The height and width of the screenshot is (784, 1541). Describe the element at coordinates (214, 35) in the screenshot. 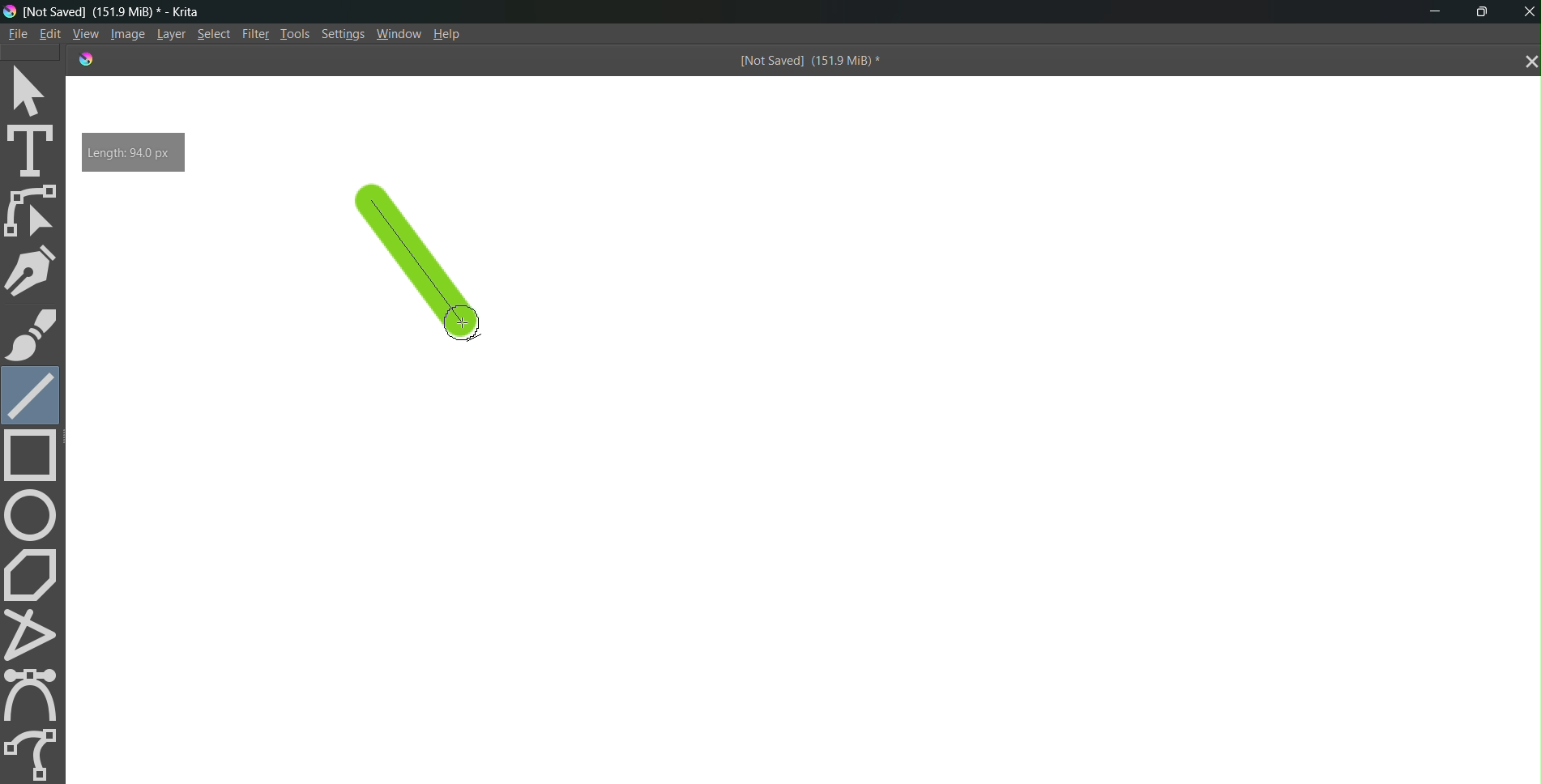

I see `Select` at that location.